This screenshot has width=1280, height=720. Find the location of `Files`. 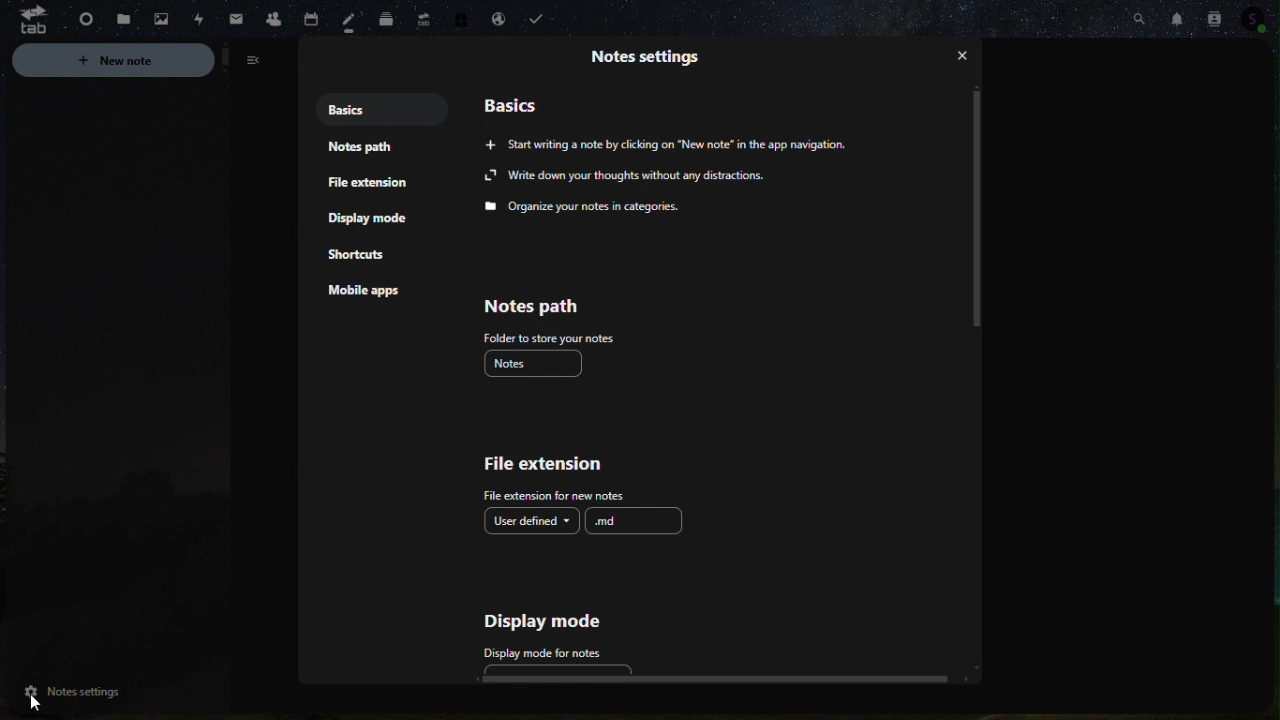

Files is located at coordinates (124, 15).